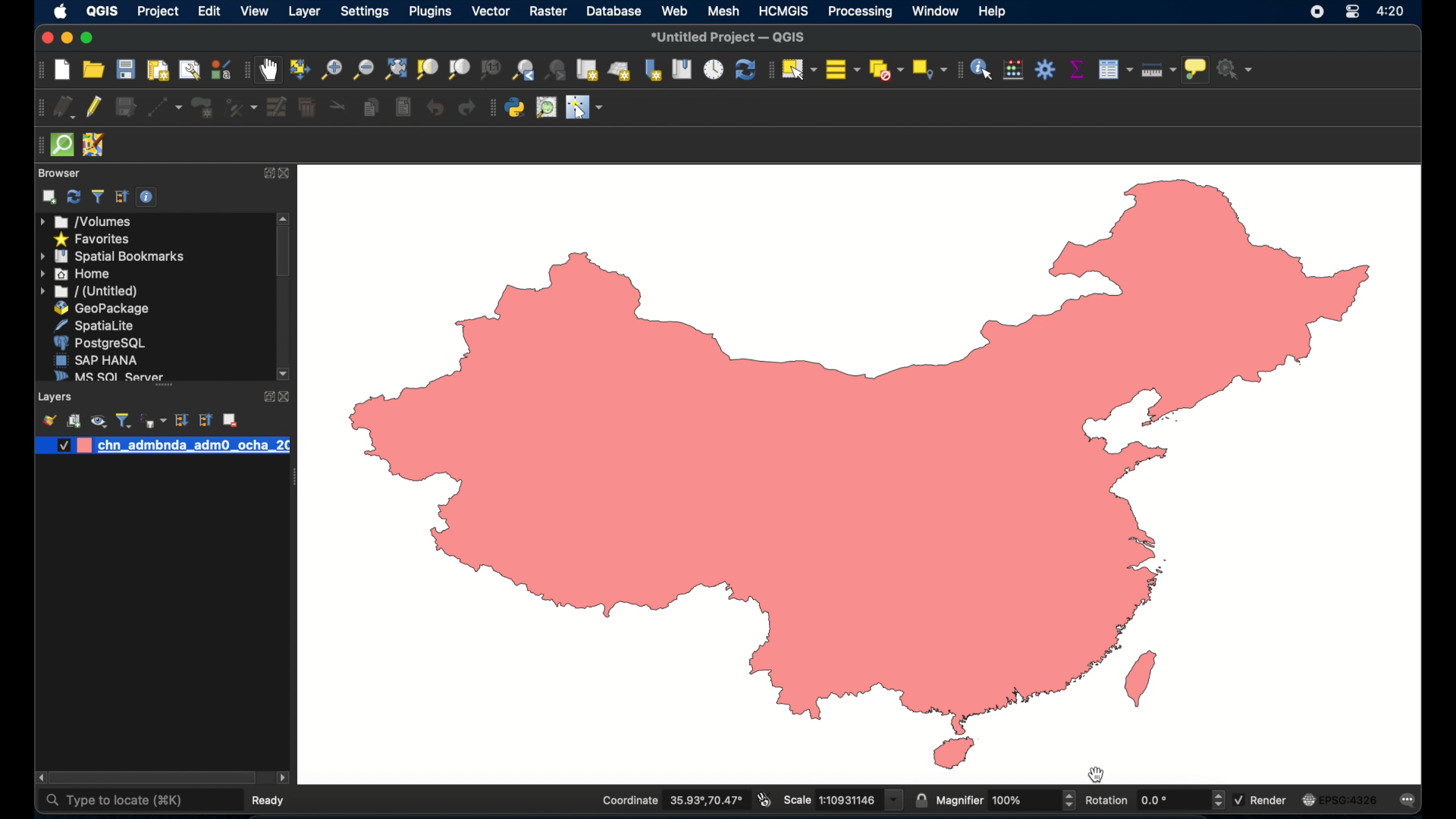 The width and height of the screenshot is (1456, 819). What do you see at coordinates (401, 107) in the screenshot?
I see `paste features` at bounding box center [401, 107].